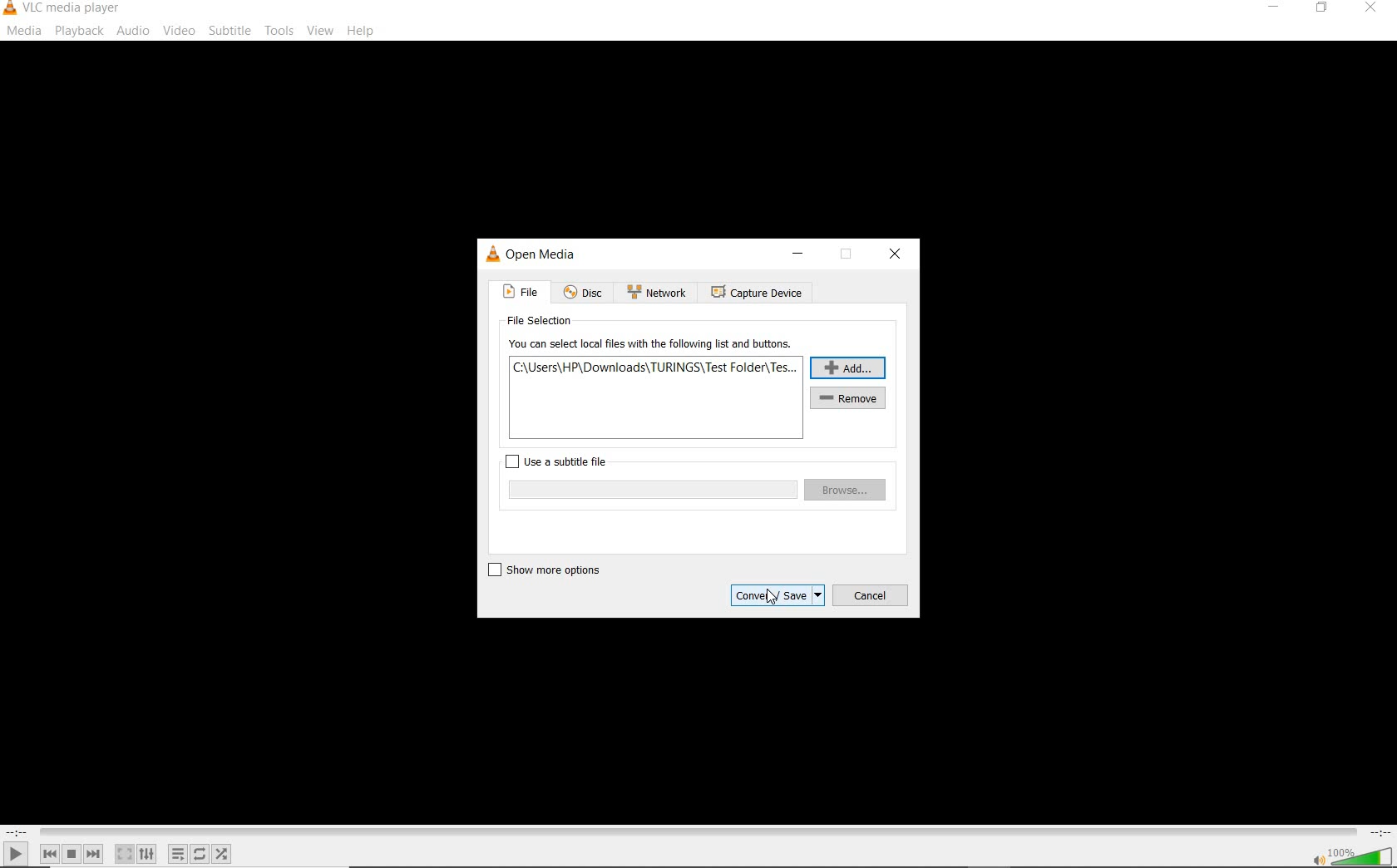 This screenshot has width=1397, height=868. Describe the element at coordinates (221, 854) in the screenshot. I see `random` at that location.